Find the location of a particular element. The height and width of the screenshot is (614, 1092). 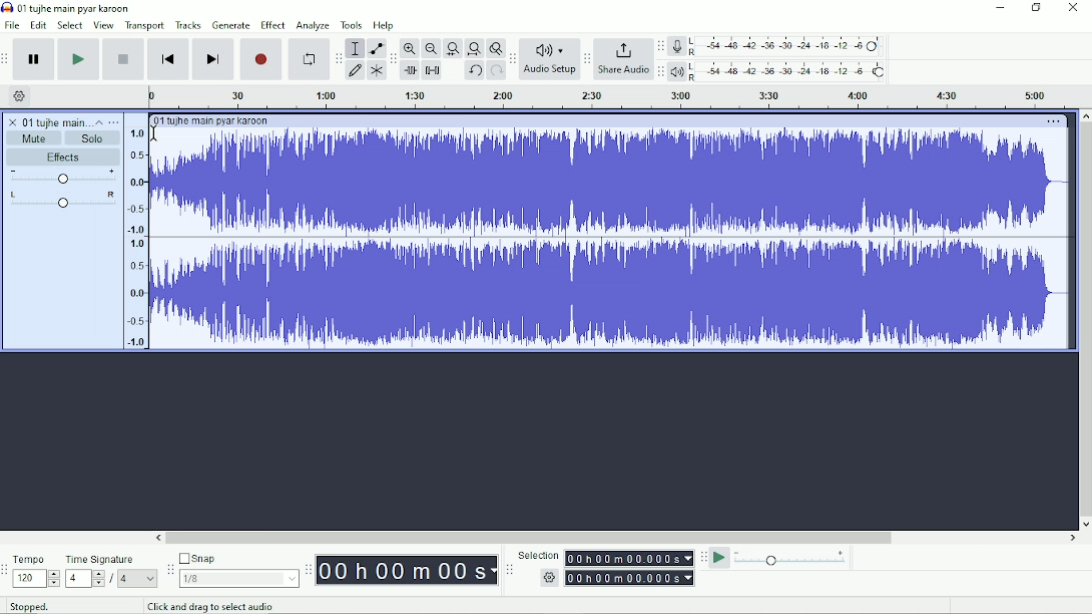

Stopped is located at coordinates (29, 605).